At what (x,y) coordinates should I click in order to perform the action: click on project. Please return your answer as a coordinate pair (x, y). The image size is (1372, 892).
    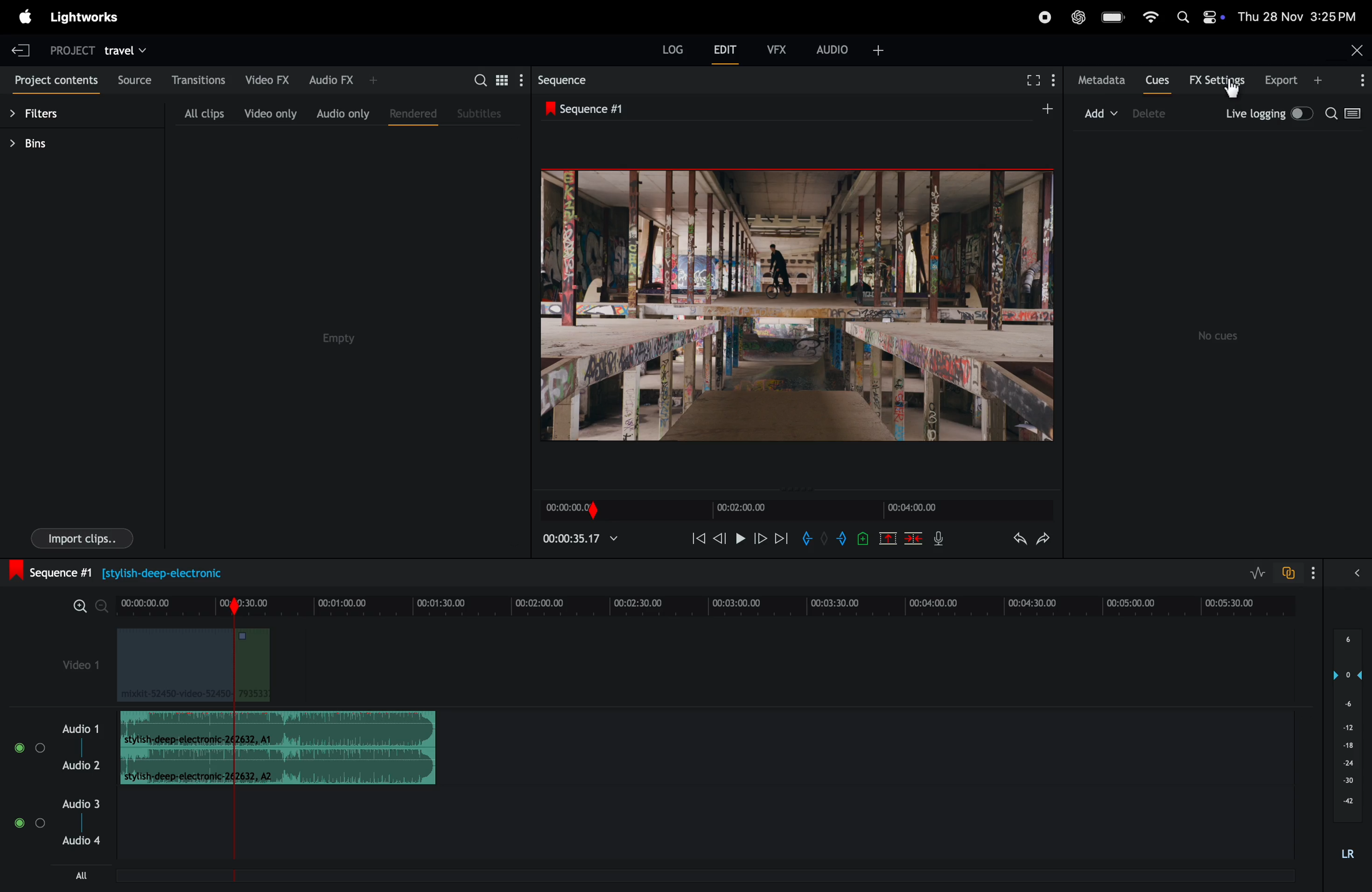
    Looking at the image, I should click on (74, 48).